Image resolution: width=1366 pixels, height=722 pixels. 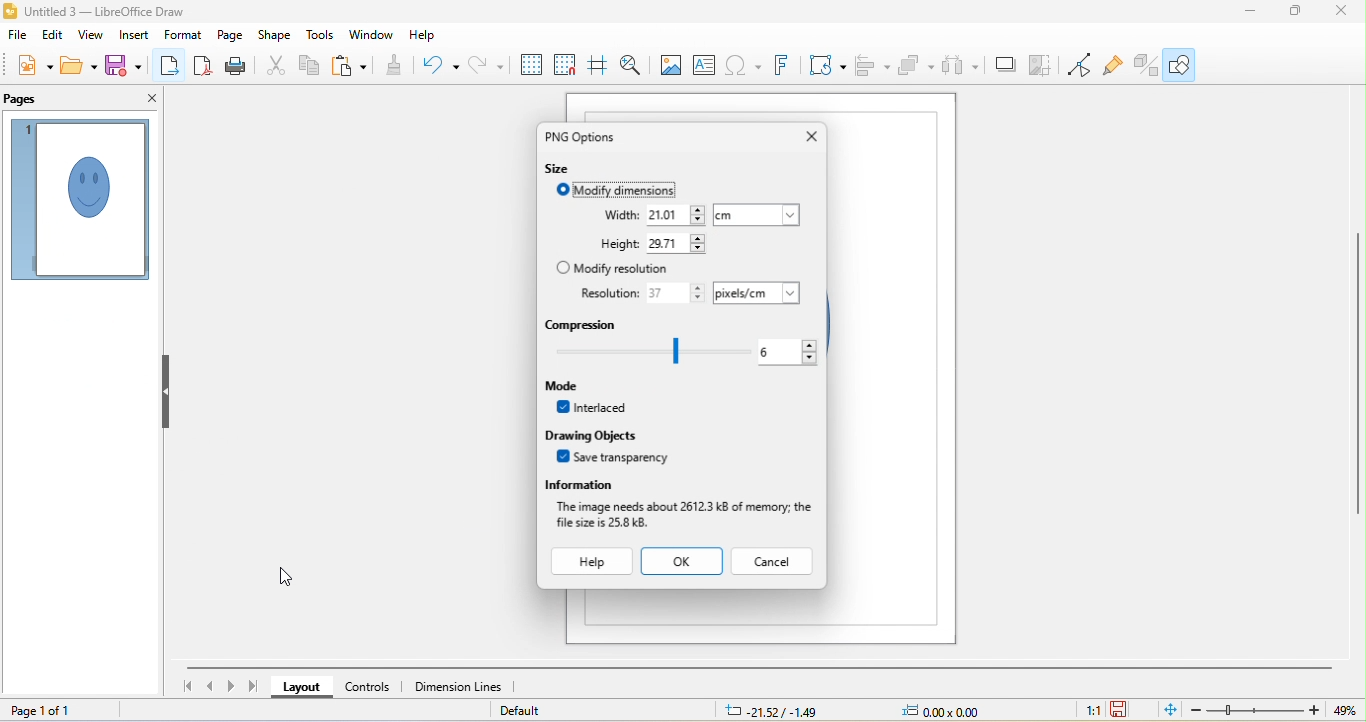 What do you see at coordinates (1144, 67) in the screenshot?
I see `toggle extrusion` at bounding box center [1144, 67].